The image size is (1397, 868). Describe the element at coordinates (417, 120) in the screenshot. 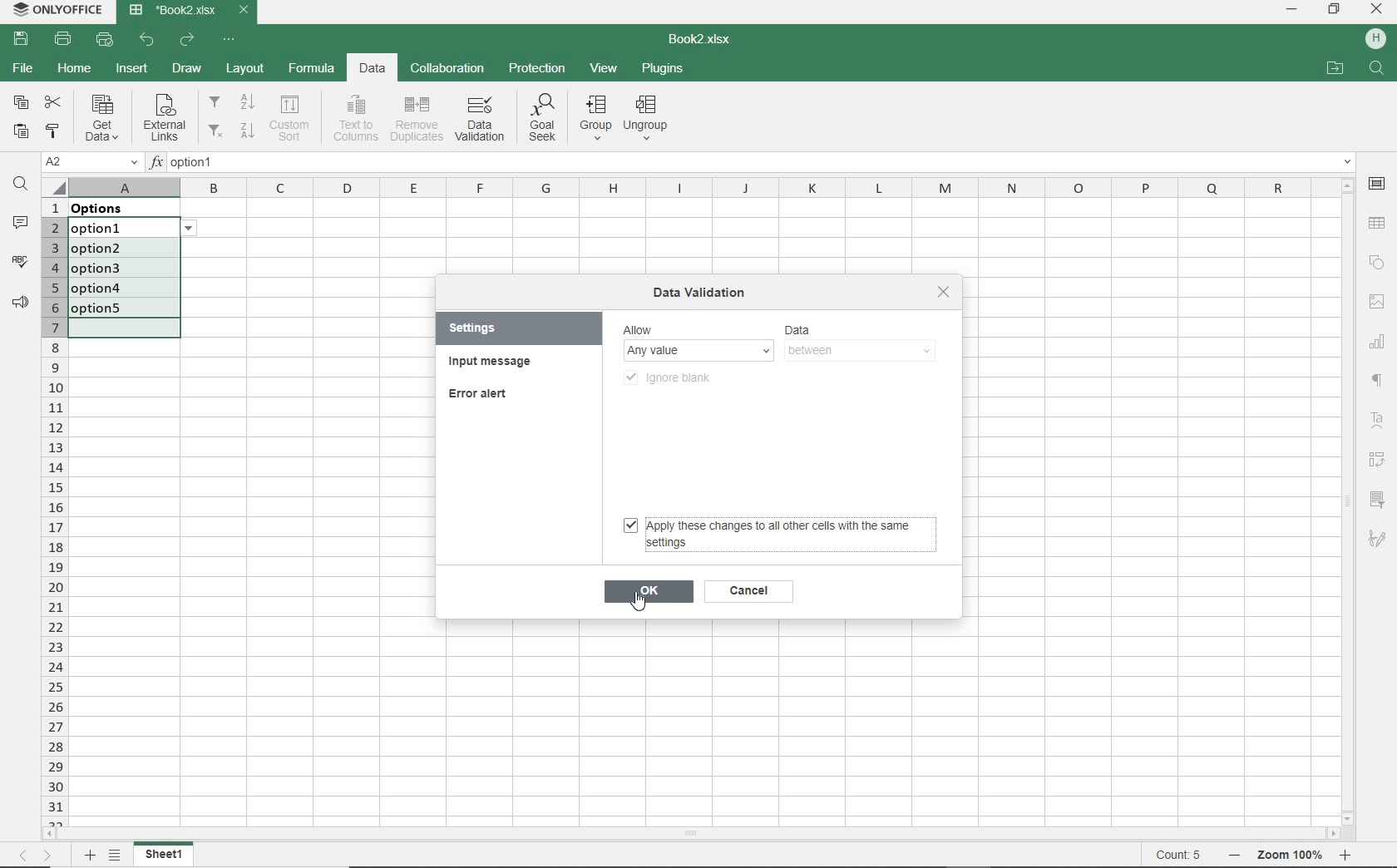

I see `remove duplicates` at that location.